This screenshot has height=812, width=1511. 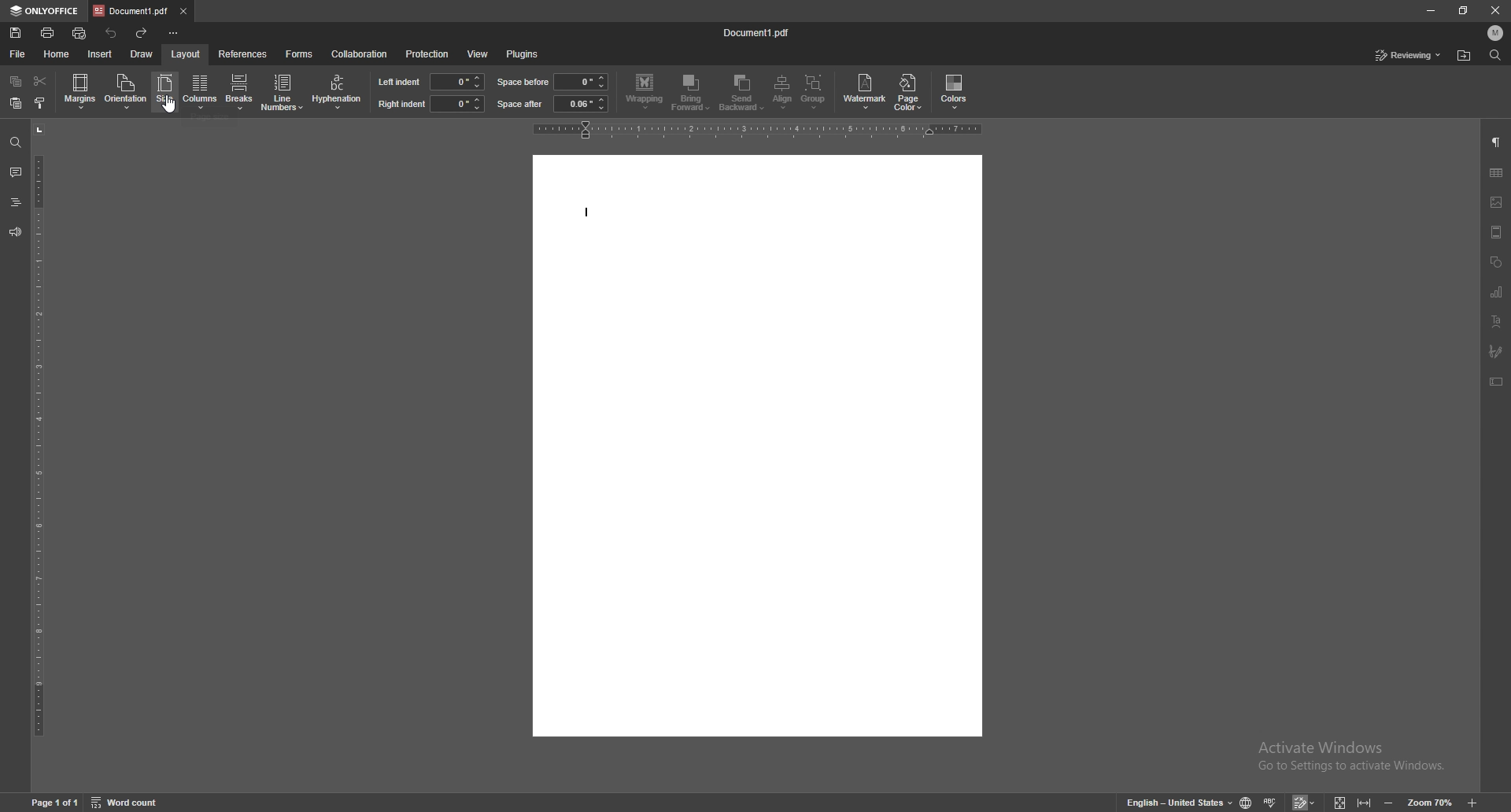 What do you see at coordinates (1496, 172) in the screenshot?
I see `table` at bounding box center [1496, 172].